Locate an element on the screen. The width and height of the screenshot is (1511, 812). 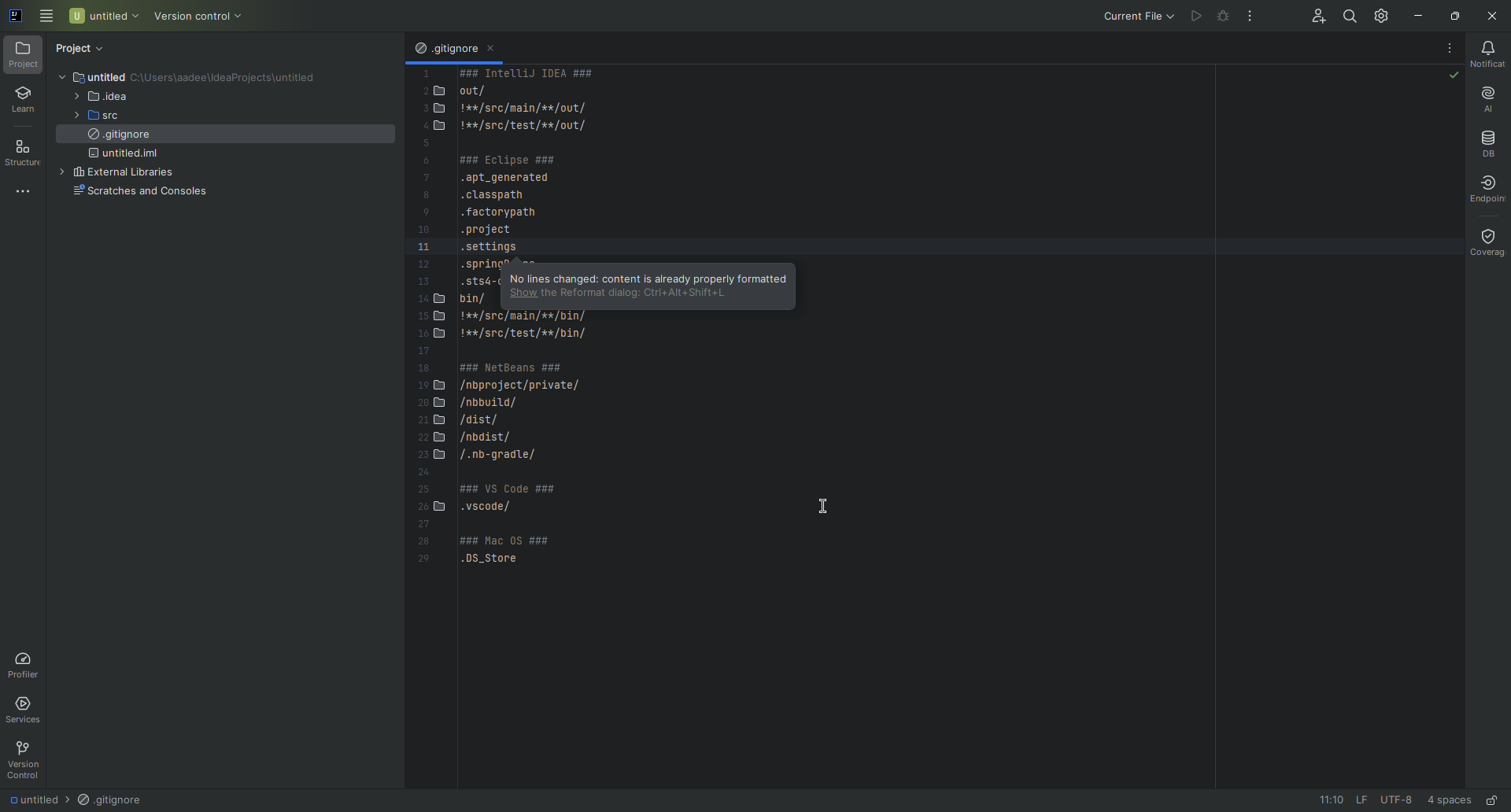
Lock is located at coordinates (1493, 799).